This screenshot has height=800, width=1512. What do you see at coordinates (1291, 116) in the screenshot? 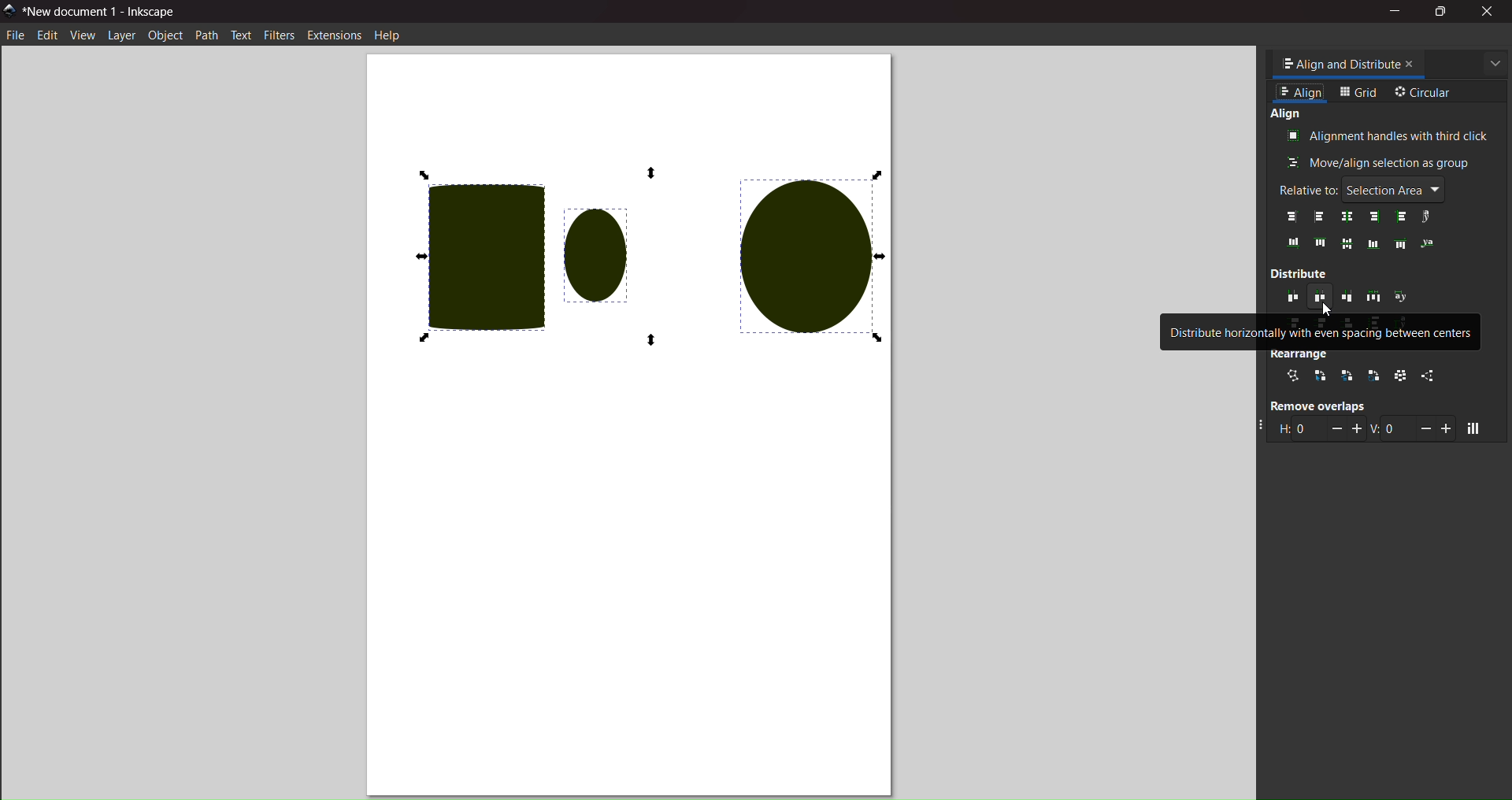
I see `align` at bounding box center [1291, 116].